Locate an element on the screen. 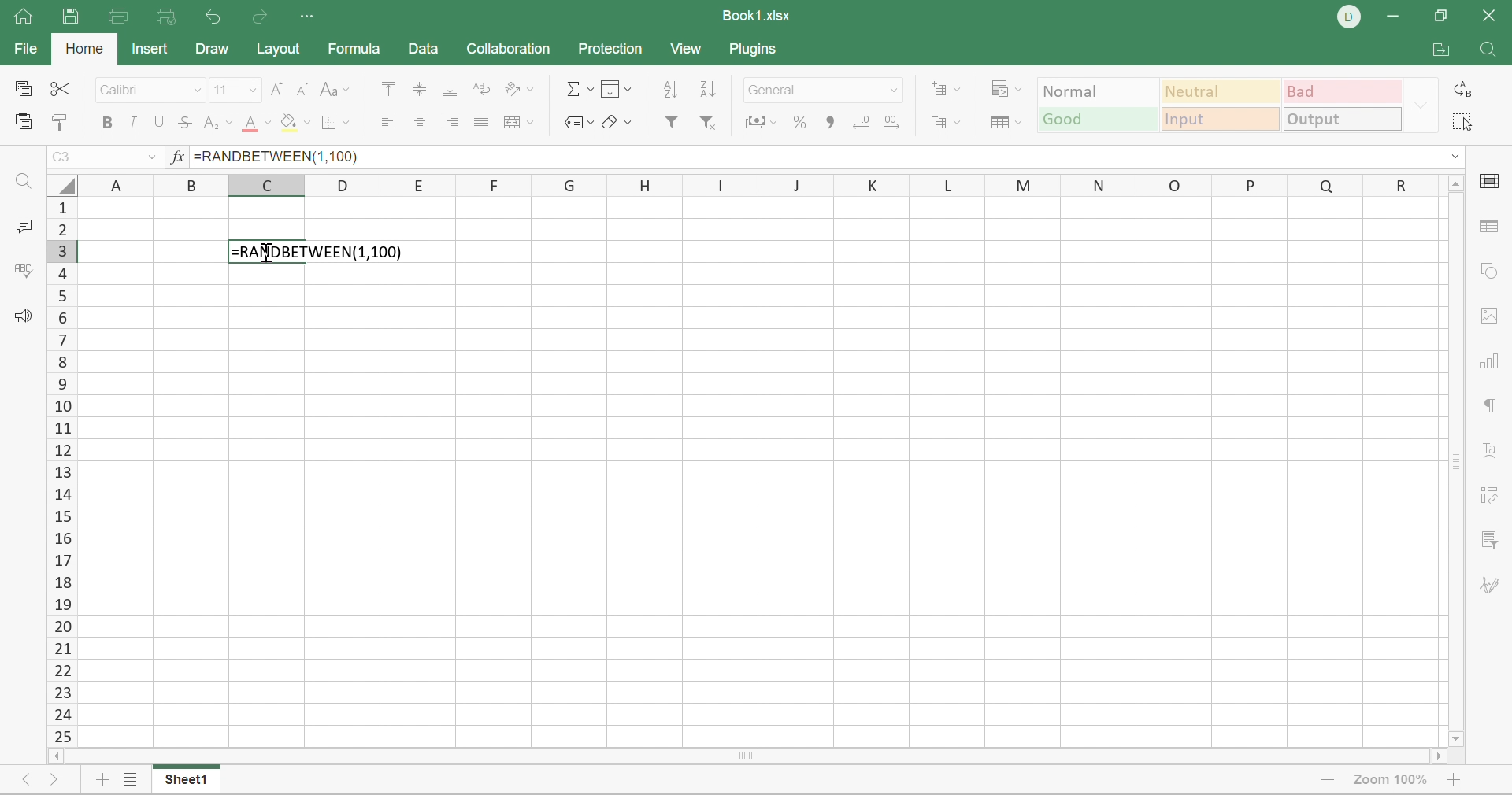  Drop Down is located at coordinates (199, 89).